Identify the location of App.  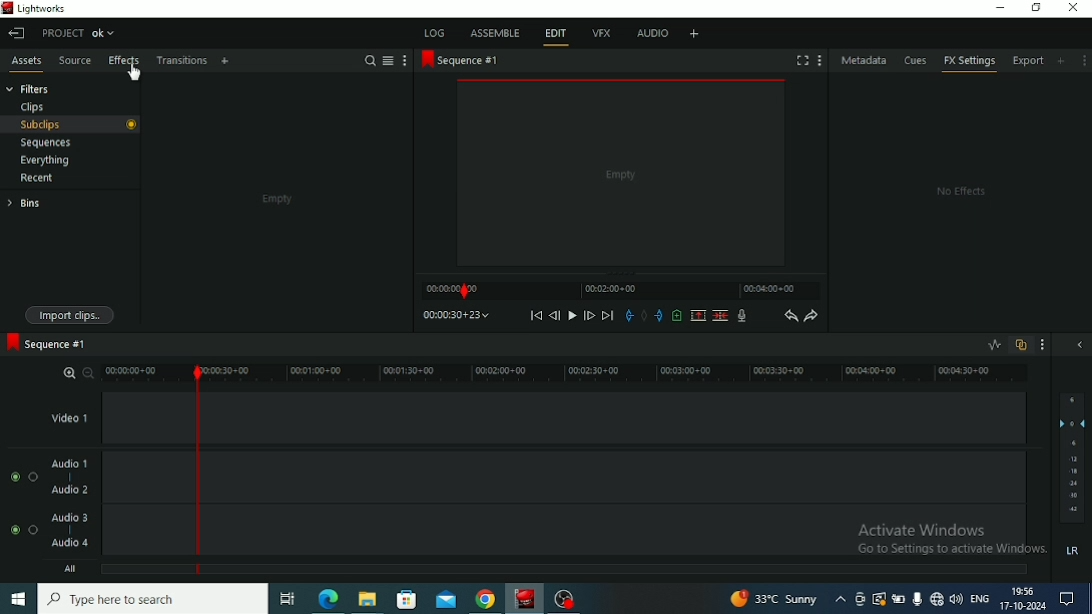
(566, 598).